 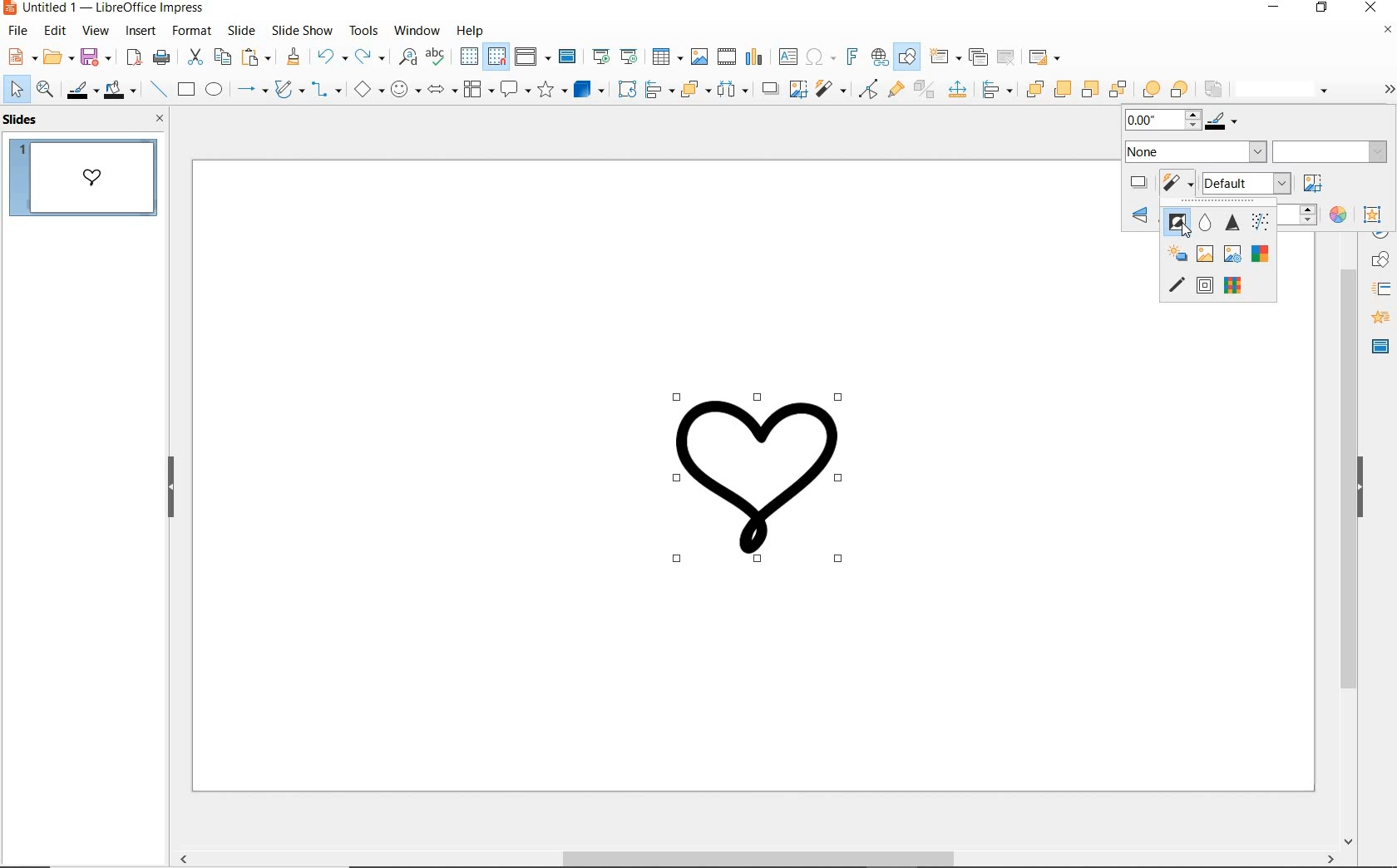 I want to click on insert video, so click(x=726, y=57).